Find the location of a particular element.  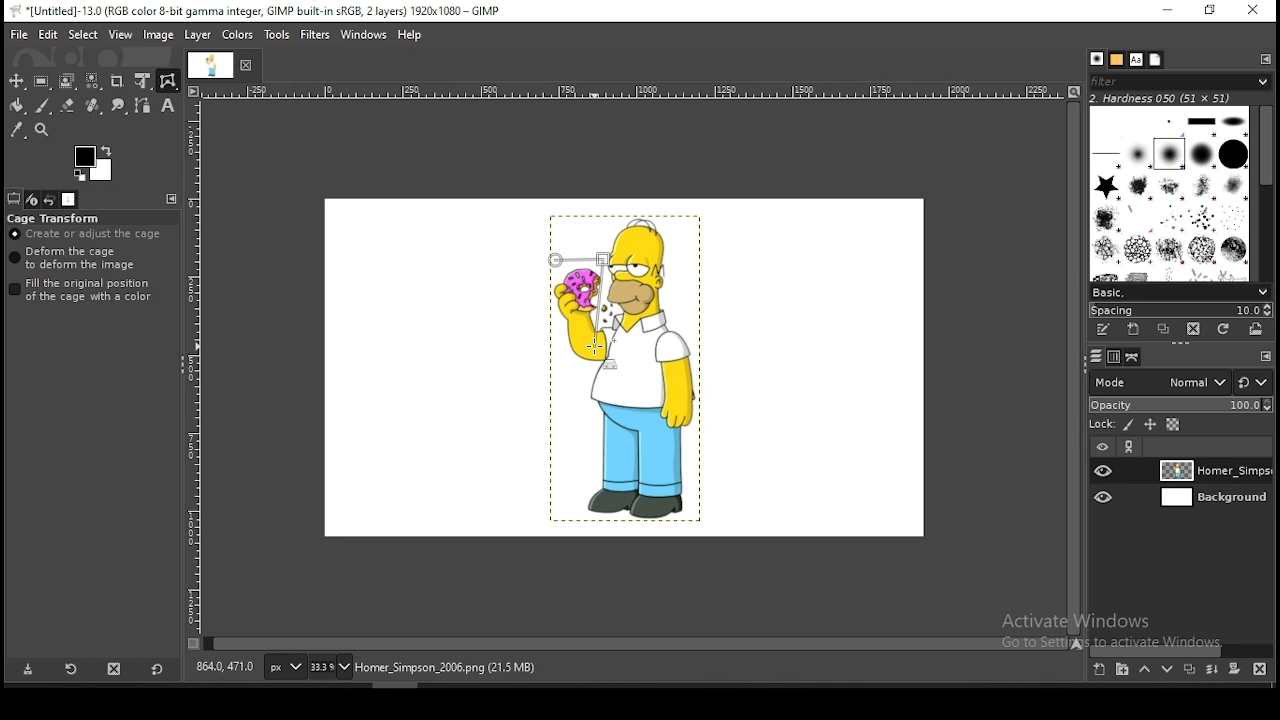

edit is located at coordinates (48, 35).